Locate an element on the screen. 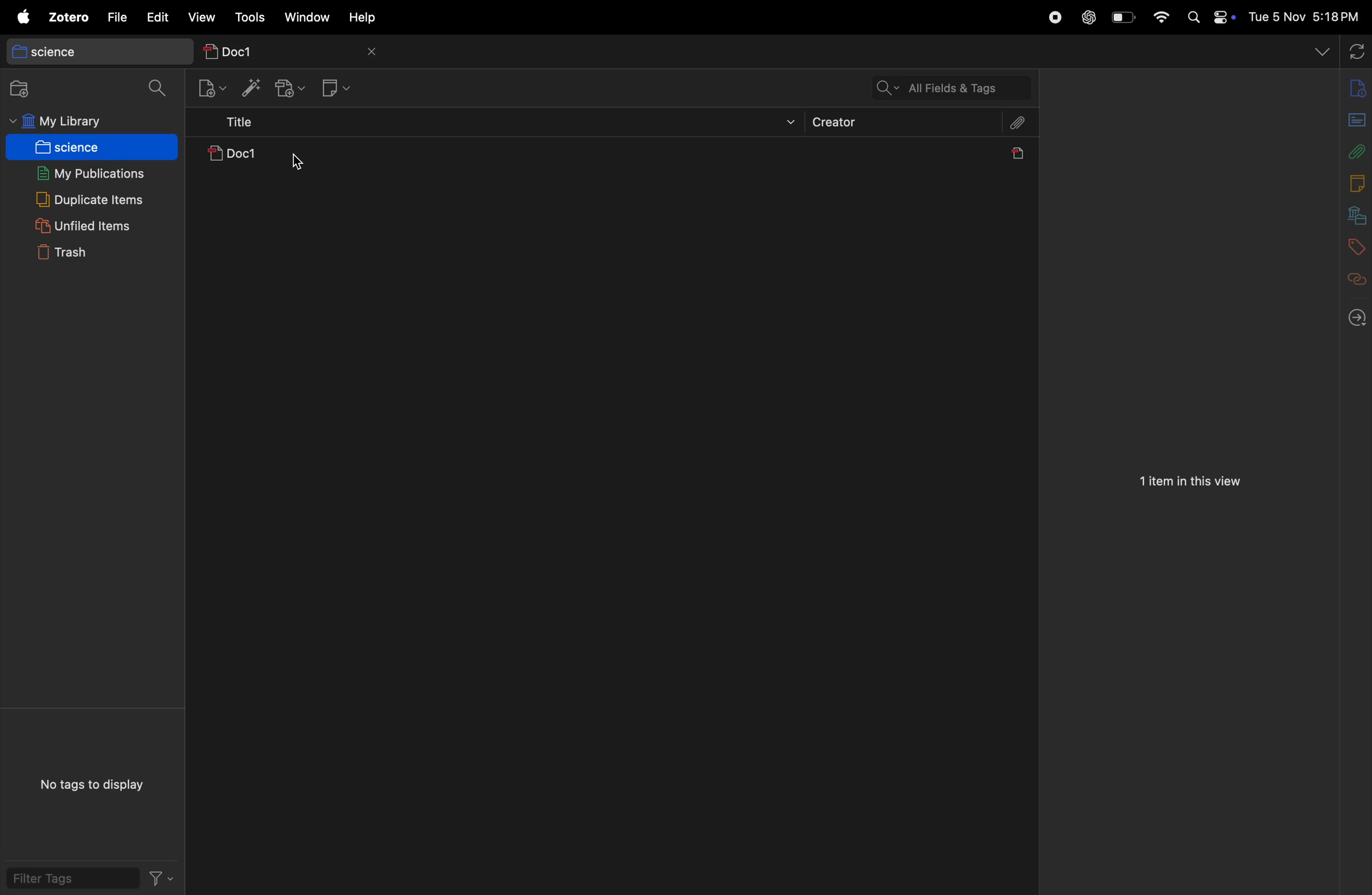 This screenshot has height=895, width=1372. new document is located at coordinates (1351, 118).